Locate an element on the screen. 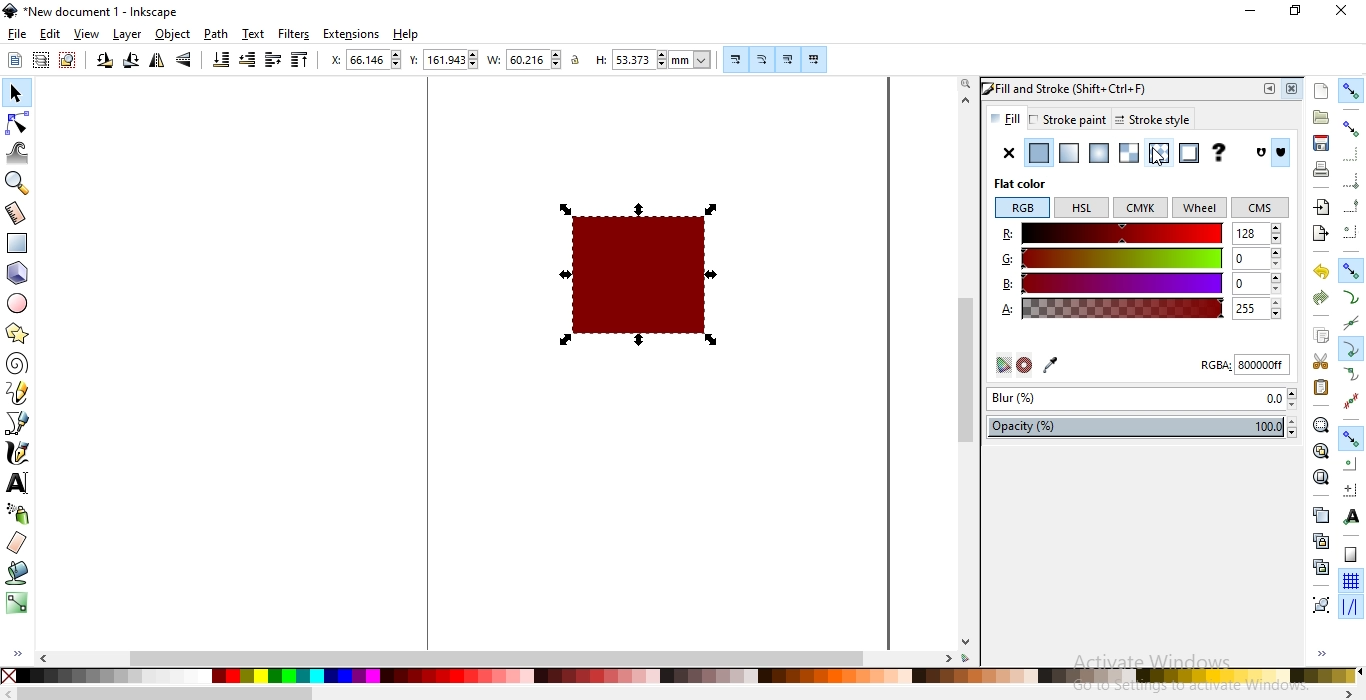  measurement tool is located at coordinates (17, 214).